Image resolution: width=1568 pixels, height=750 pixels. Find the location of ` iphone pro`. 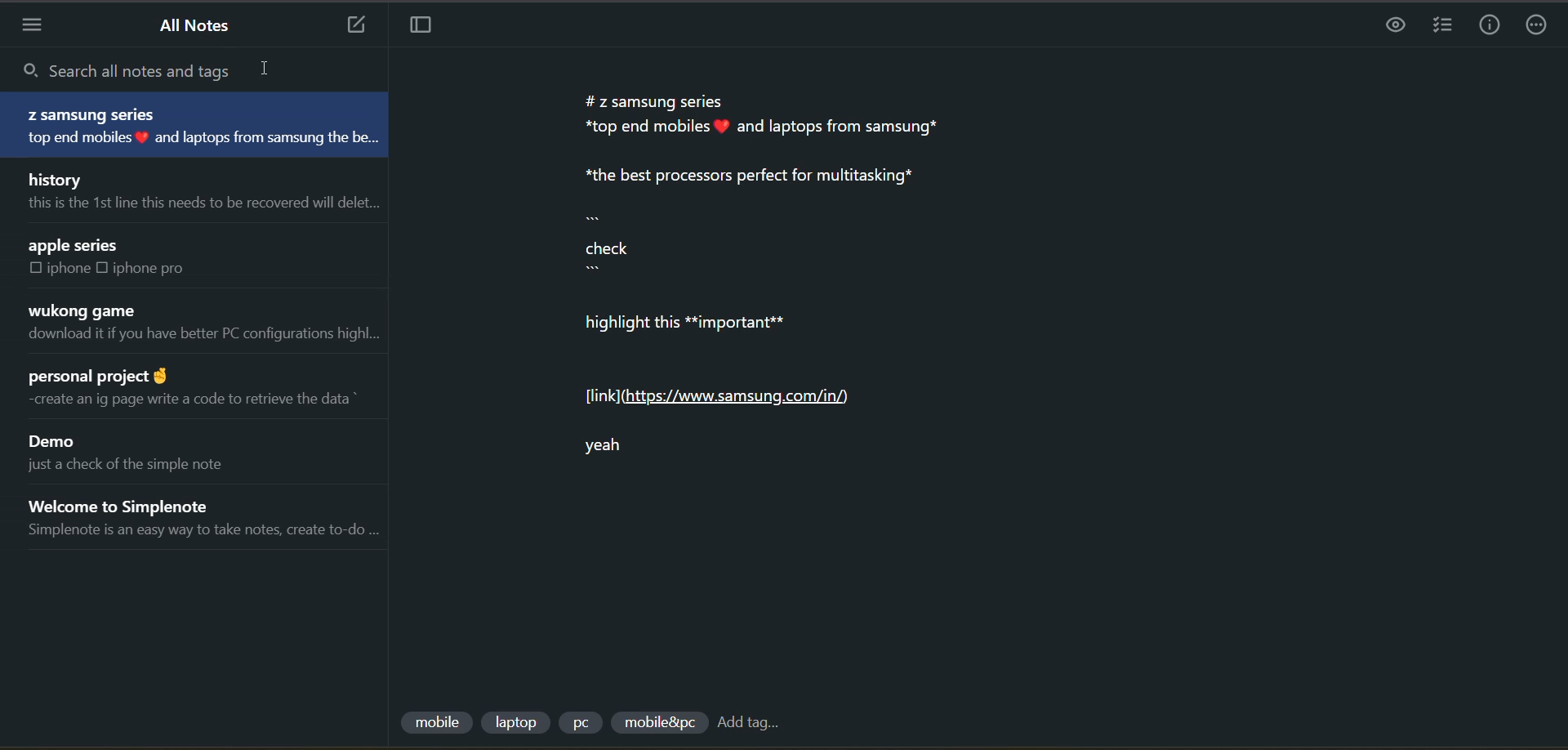

 iphone pro is located at coordinates (158, 271).